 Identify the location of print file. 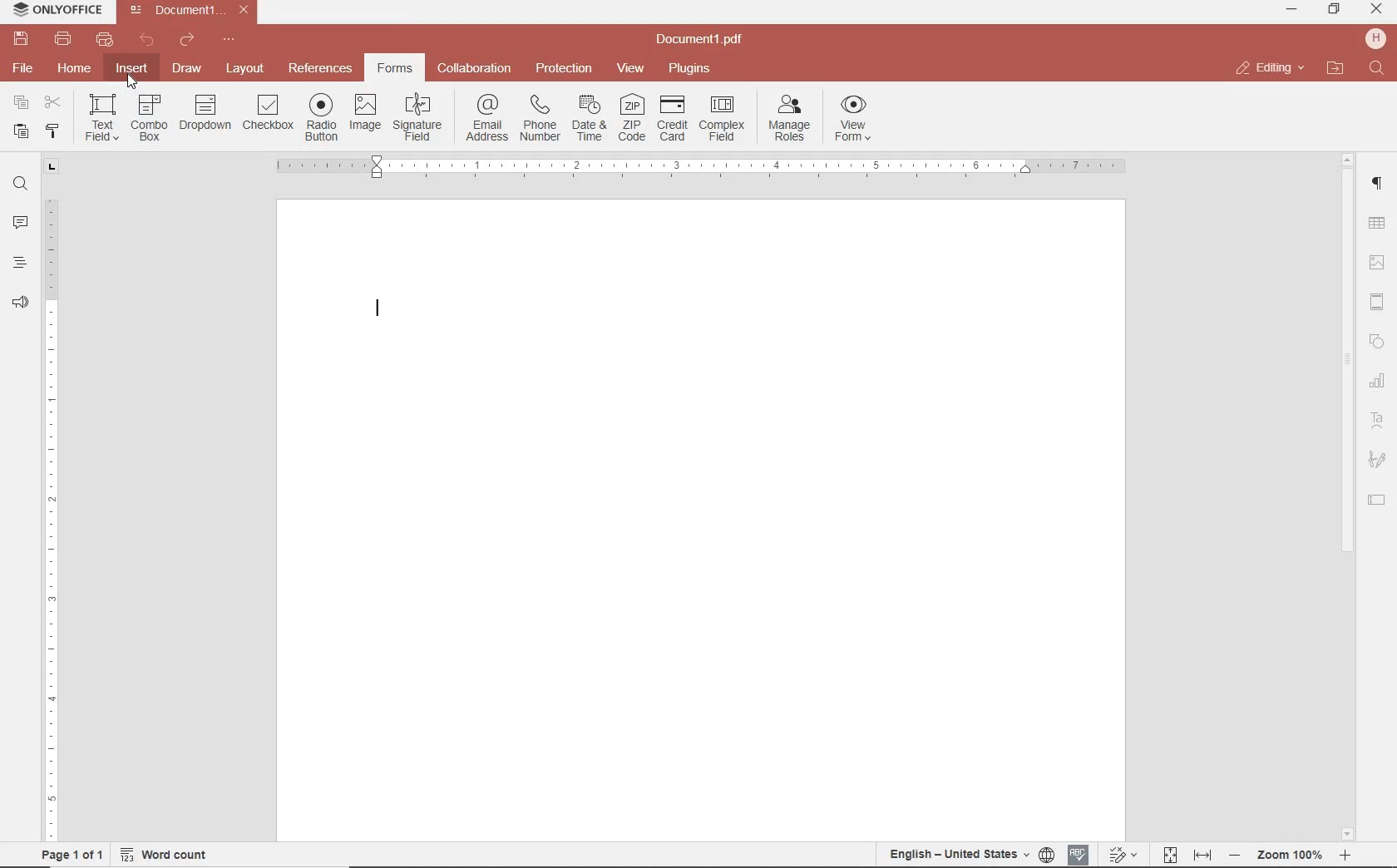
(63, 39).